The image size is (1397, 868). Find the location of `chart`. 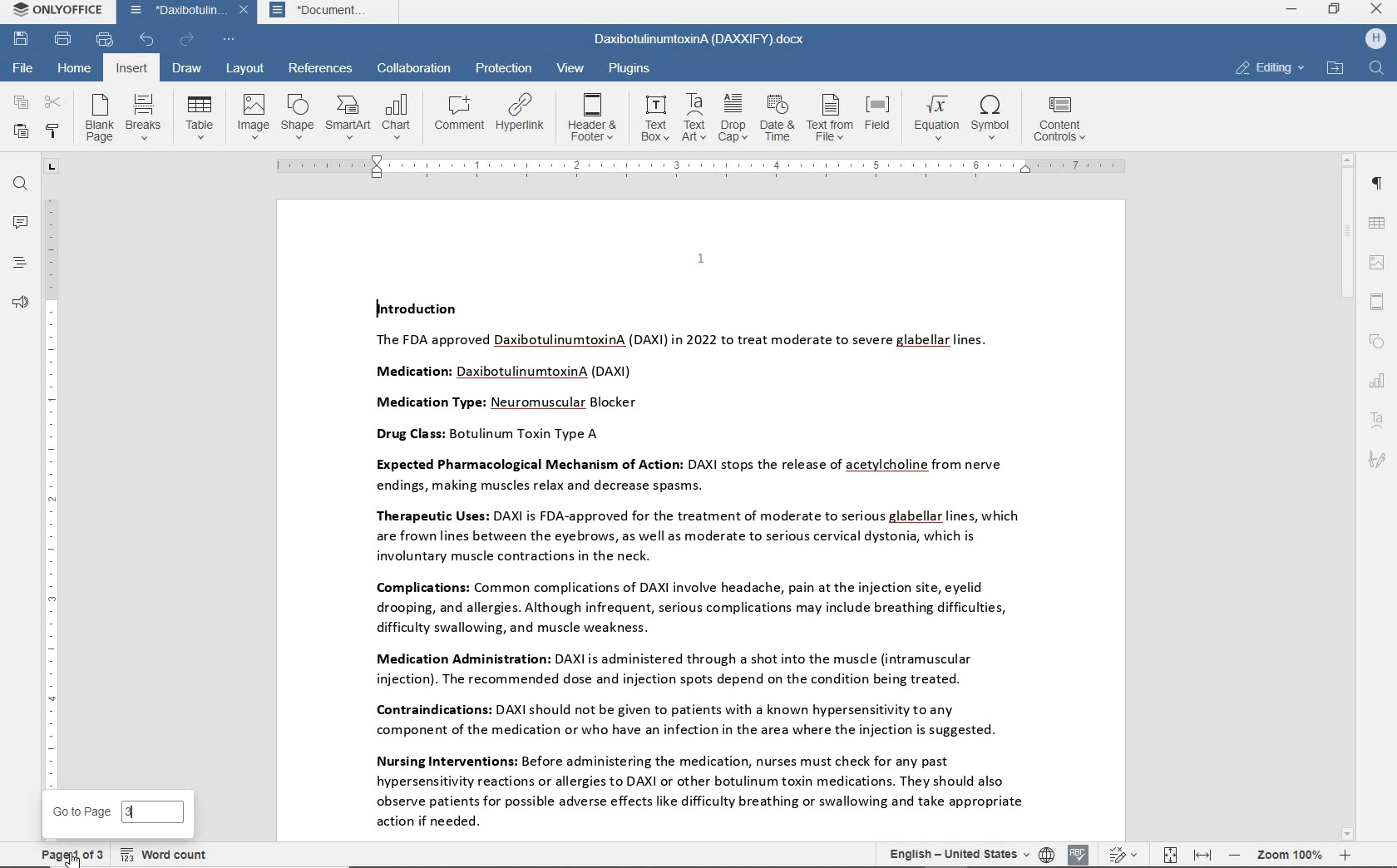

chart is located at coordinates (397, 116).